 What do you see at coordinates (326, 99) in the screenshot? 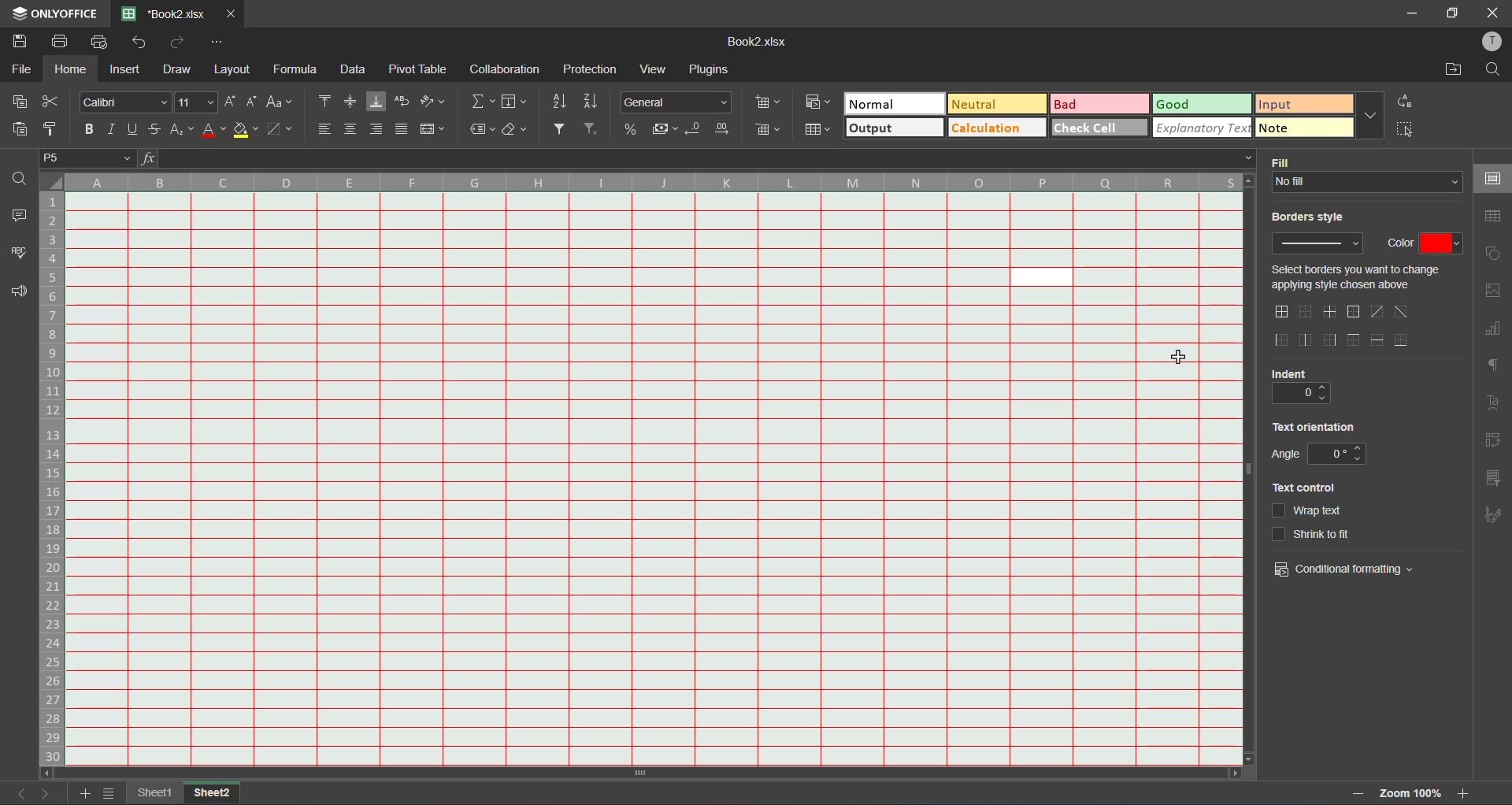
I see `align top` at bounding box center [326, 99].